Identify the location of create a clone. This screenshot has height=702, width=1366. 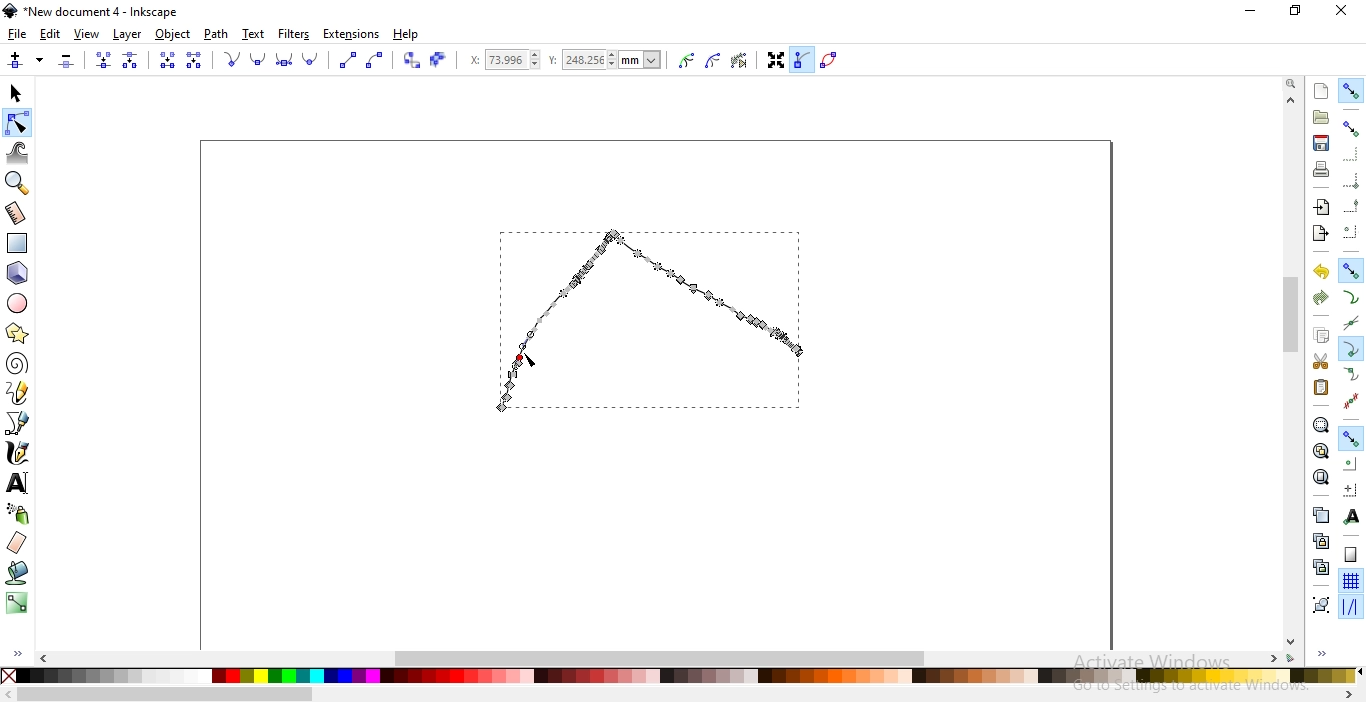
(1320, 540).